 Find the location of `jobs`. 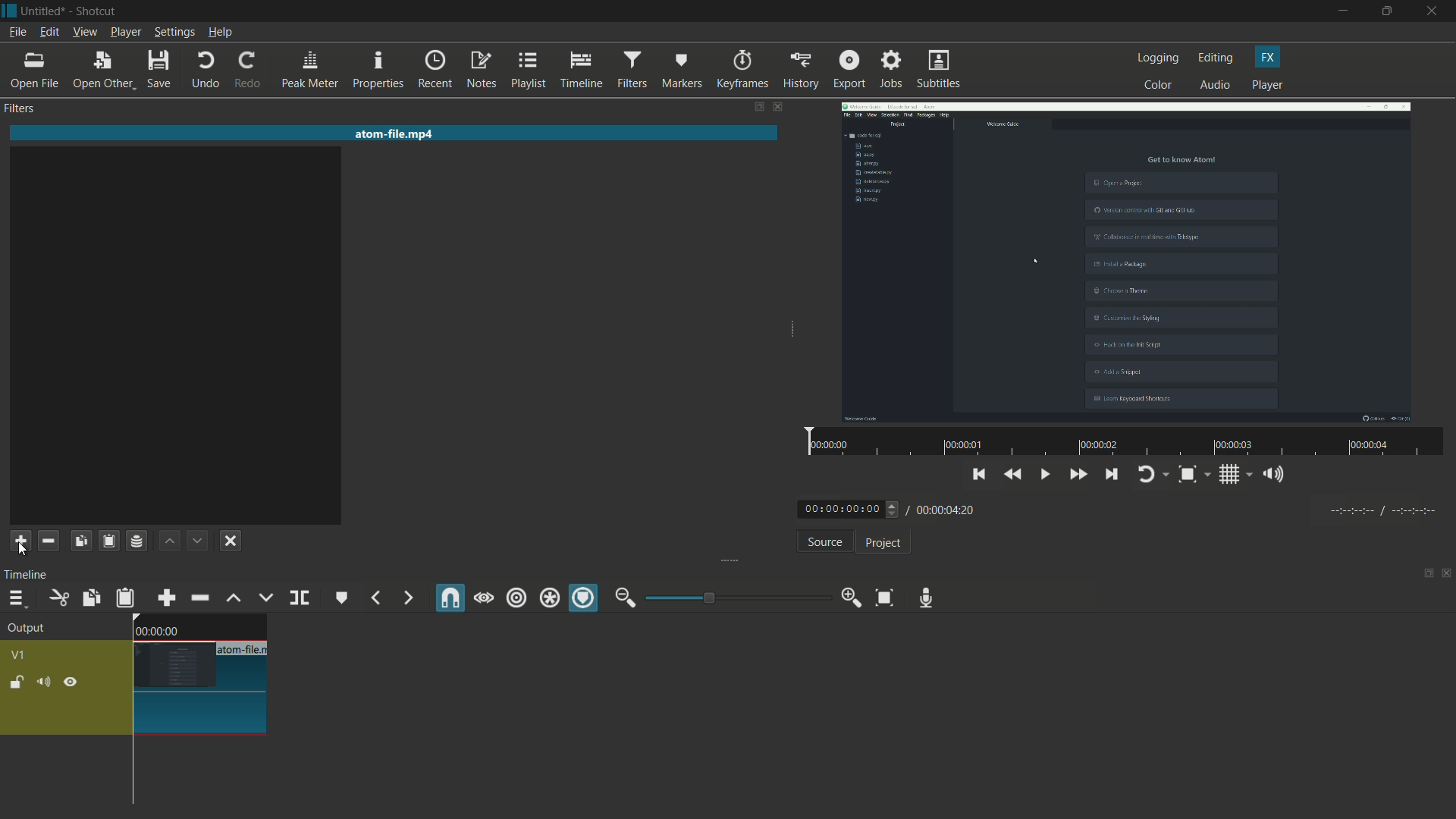

jobs is located at coordinates (891, 70).